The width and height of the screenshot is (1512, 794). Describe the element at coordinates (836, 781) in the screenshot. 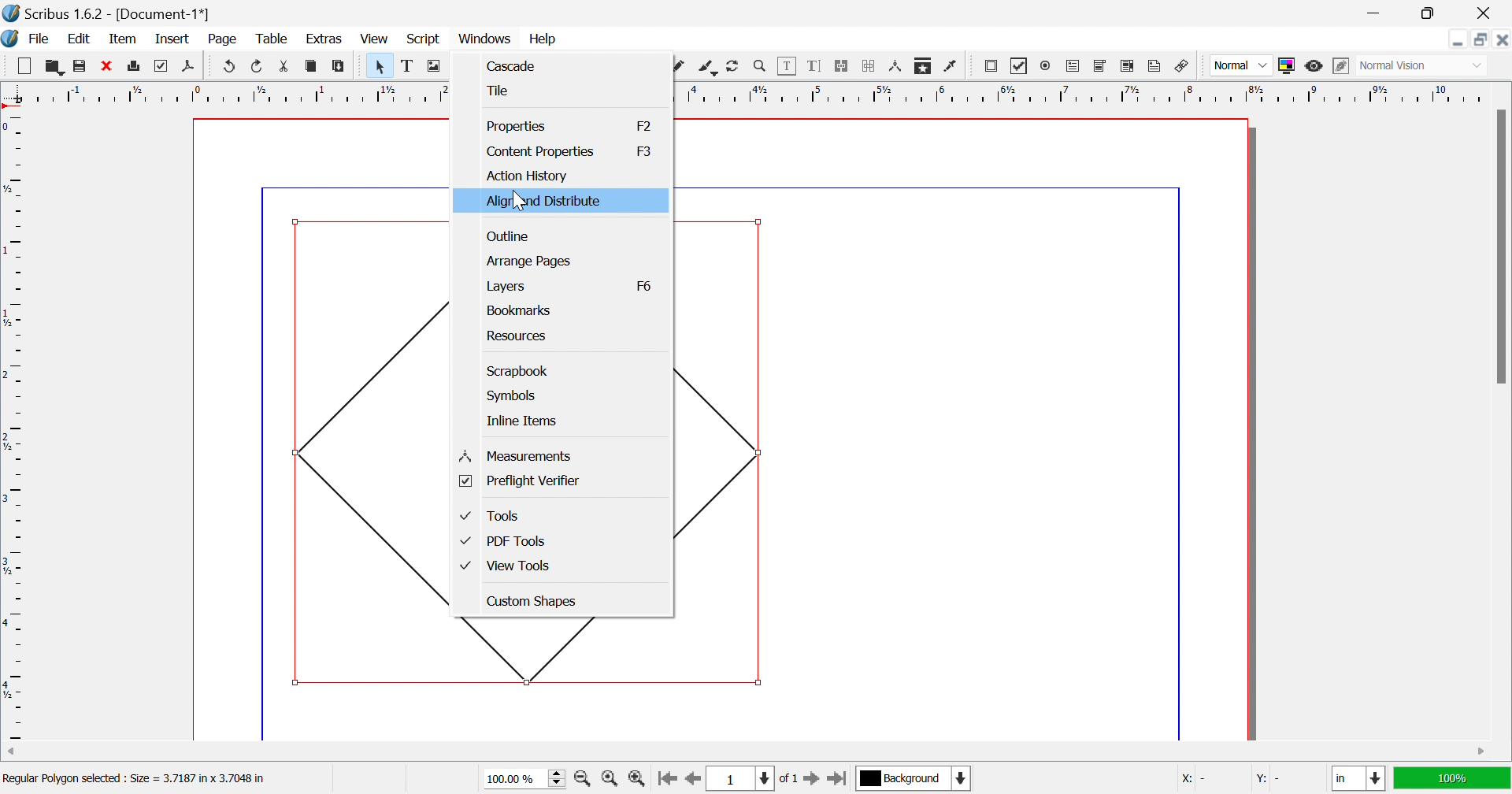

I see `Go to the last page` at that location.